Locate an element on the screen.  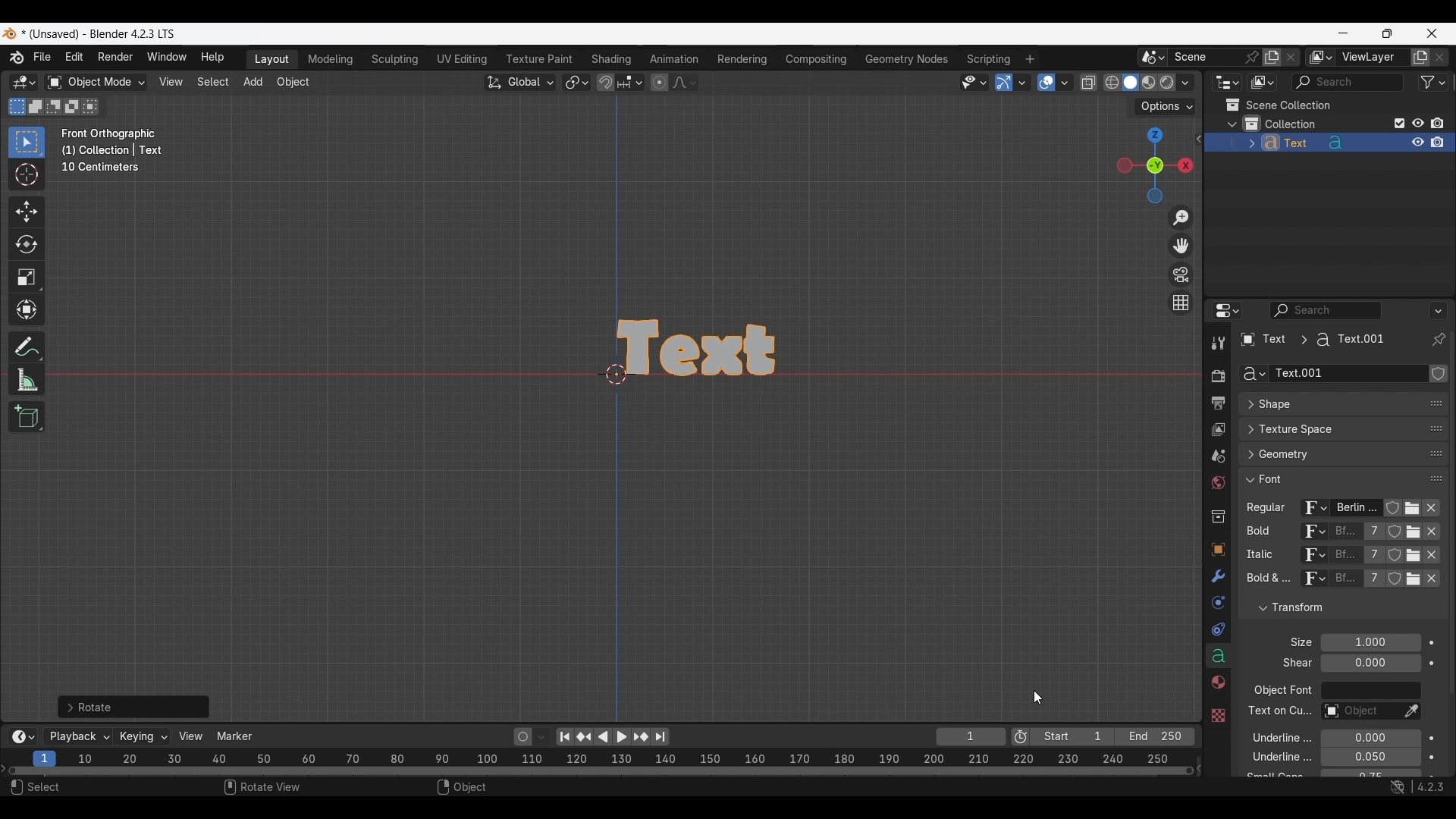
Object is located at coordinates (1217, 550).